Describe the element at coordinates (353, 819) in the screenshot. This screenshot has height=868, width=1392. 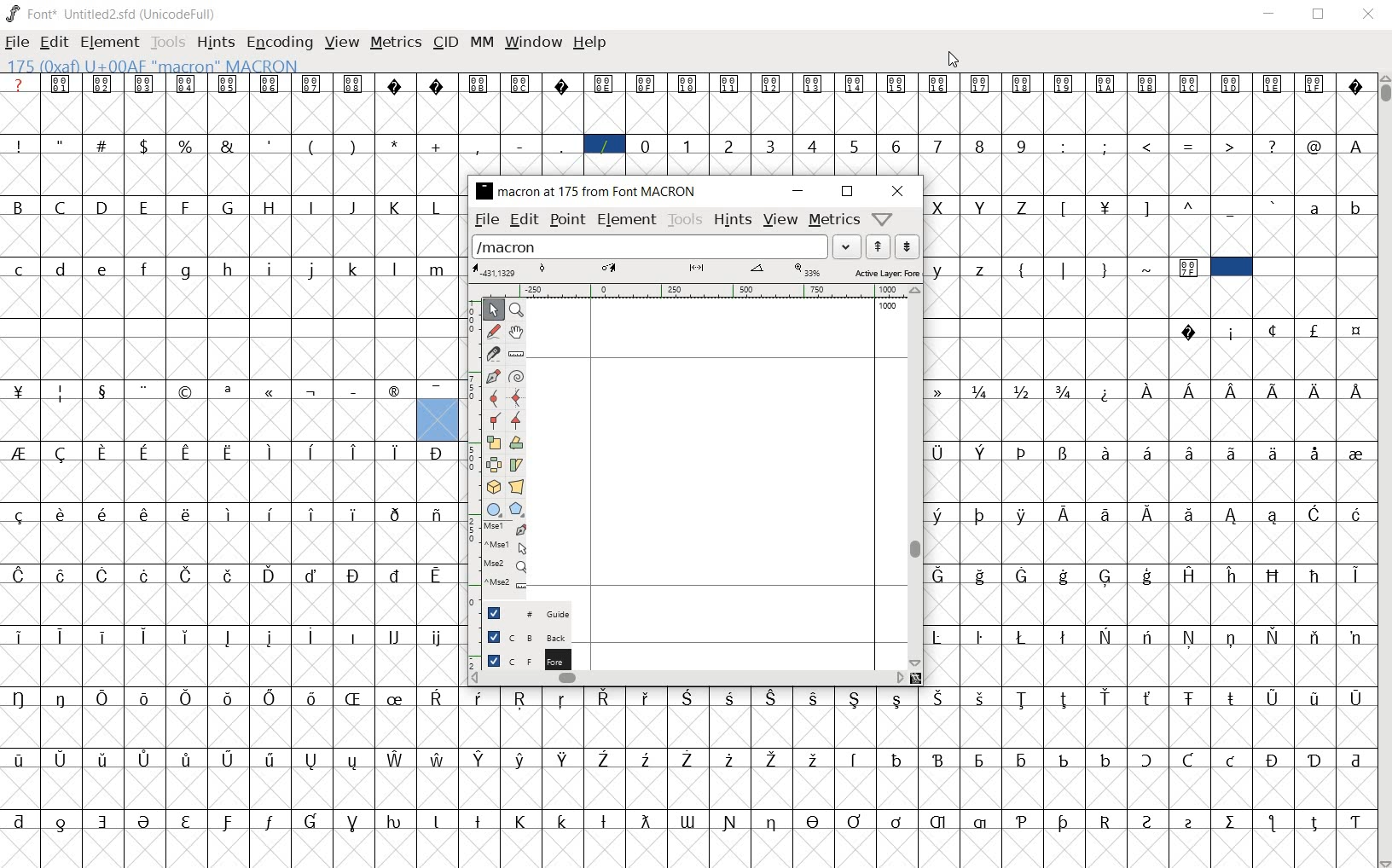
I see `Symbol` at that location.